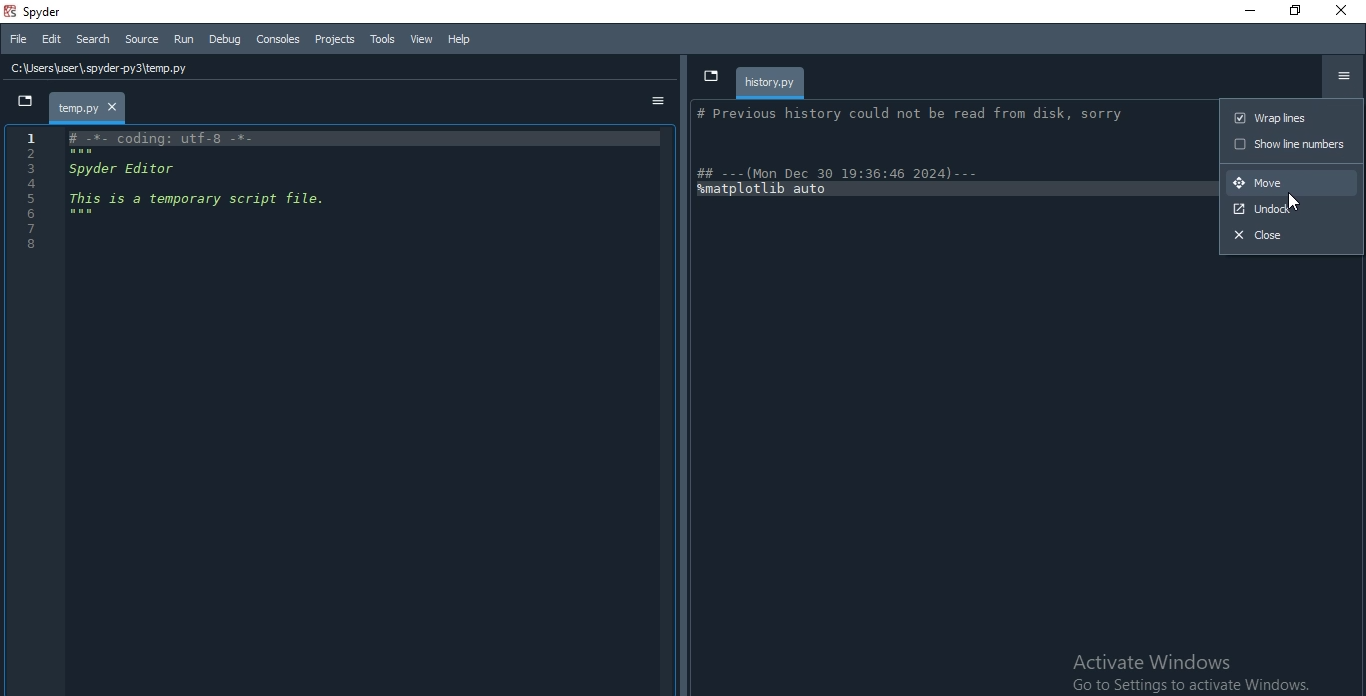 This screenshot has height=696, width=1366. I want to click on Restore, so click(1295, 10).